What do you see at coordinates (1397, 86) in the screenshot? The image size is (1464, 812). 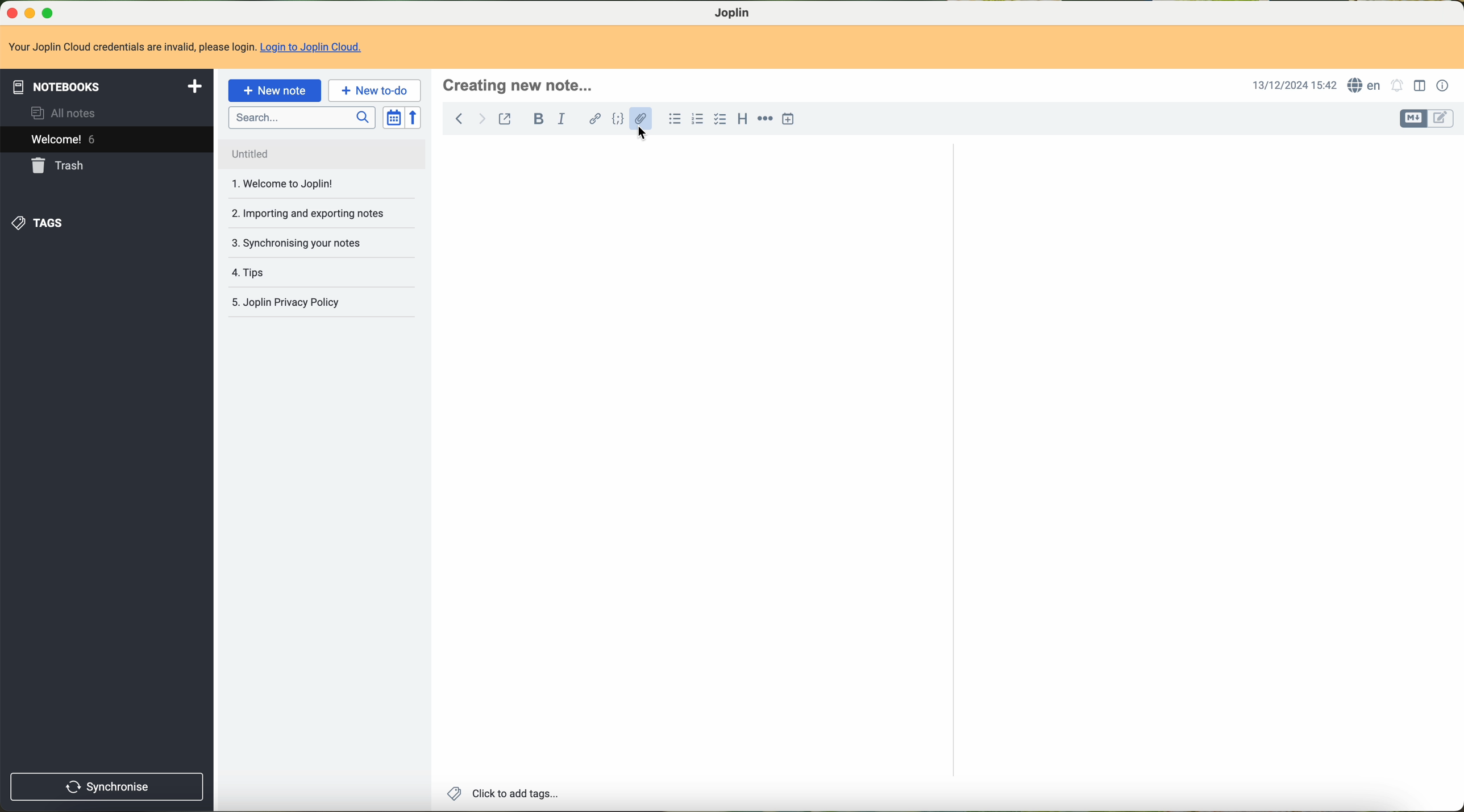 I see `set alarm` at bounding box center [1397, 86].